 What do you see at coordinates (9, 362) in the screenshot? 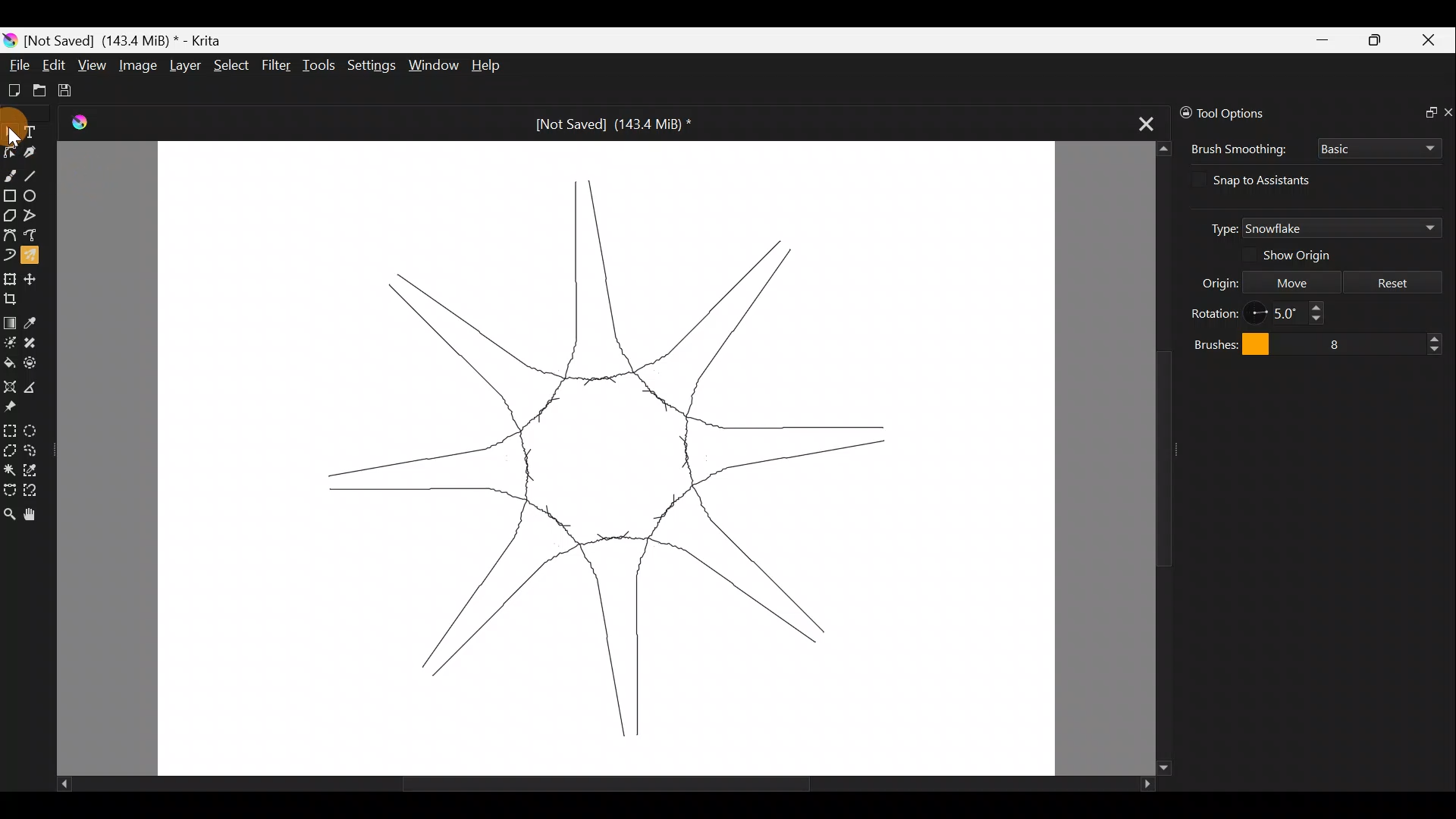
I see `Fill a contiguous area of color with color` at bounding box center [9, 362].